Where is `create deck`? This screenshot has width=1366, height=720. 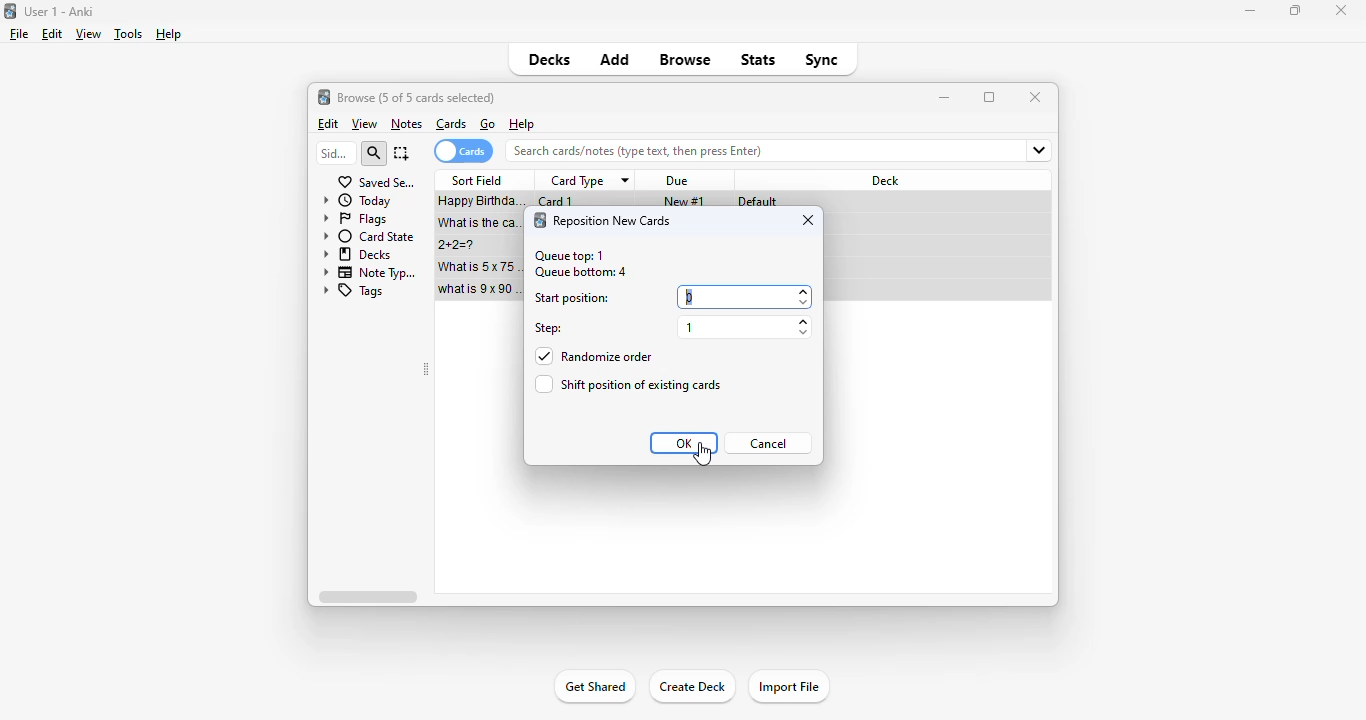 create deck is located at coordinates (691, 686).